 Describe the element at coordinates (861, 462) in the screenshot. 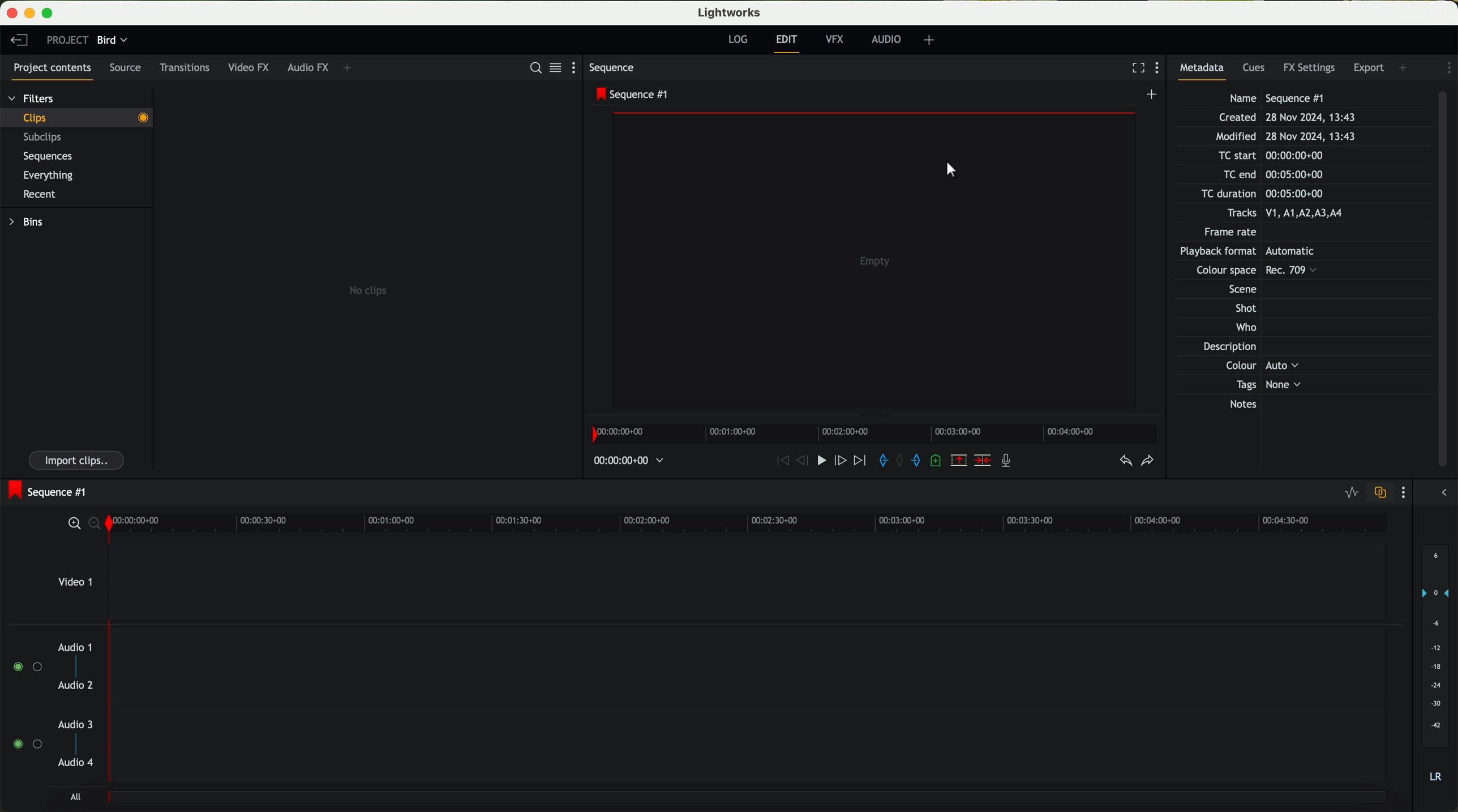

I see `move foward` at that location.